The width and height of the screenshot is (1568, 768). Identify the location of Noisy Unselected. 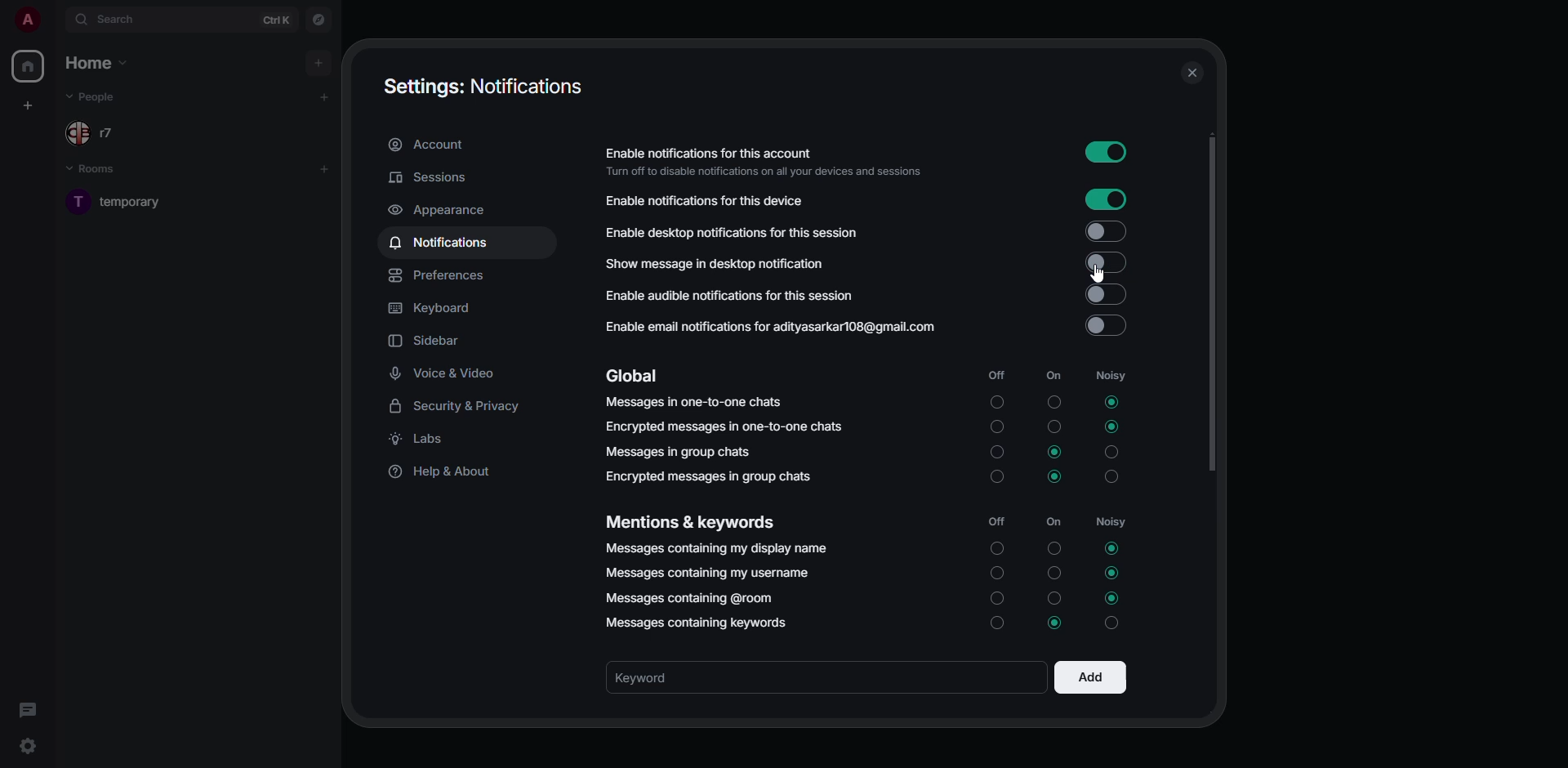
(1111, 453).